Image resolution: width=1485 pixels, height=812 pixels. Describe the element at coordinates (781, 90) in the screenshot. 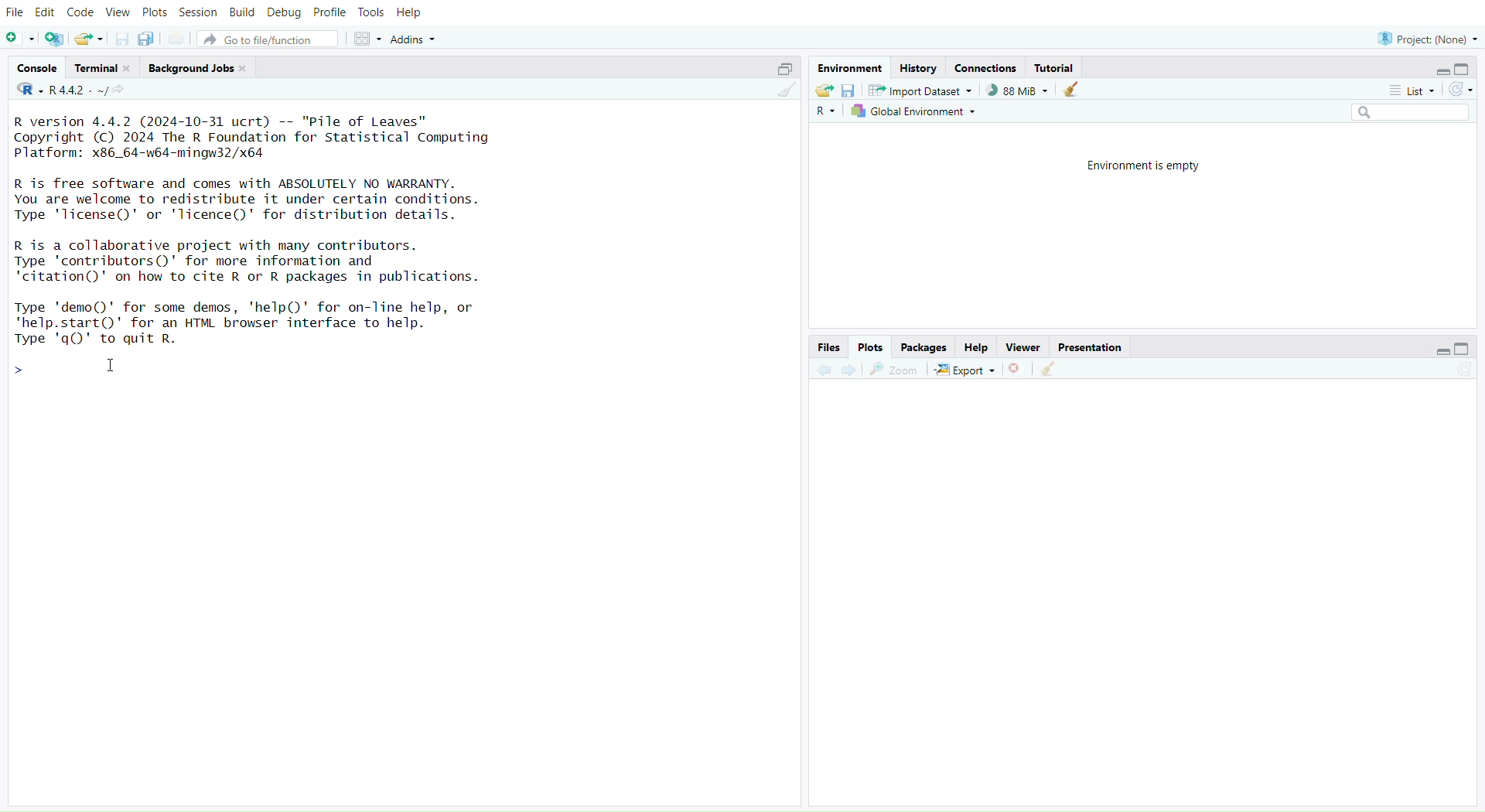

I see `clear console` at that location.